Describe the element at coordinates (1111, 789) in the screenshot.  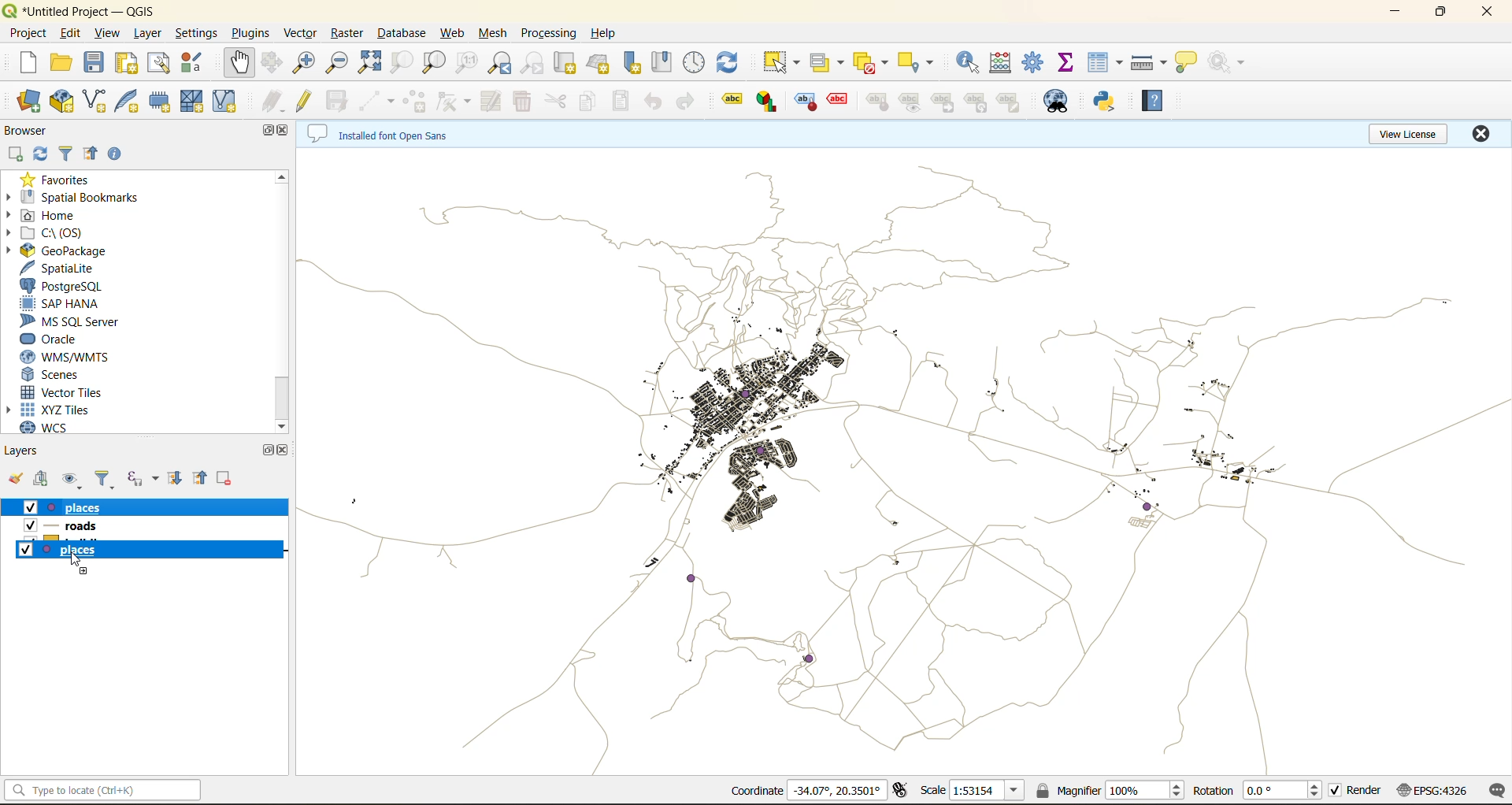
I see `magnifier` at that location.